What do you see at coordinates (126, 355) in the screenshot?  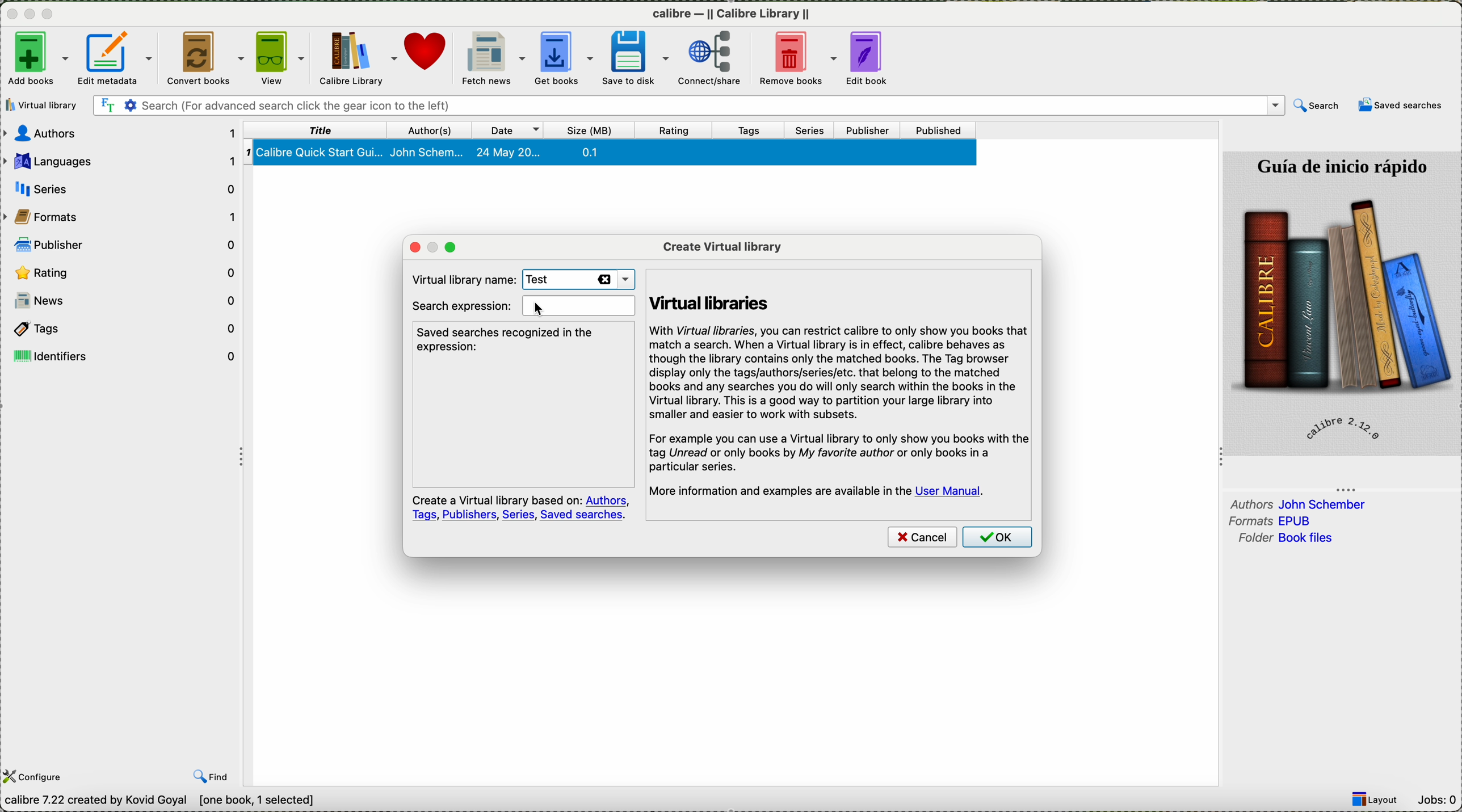 I see `identifiers` at bounding box center [126, 355].